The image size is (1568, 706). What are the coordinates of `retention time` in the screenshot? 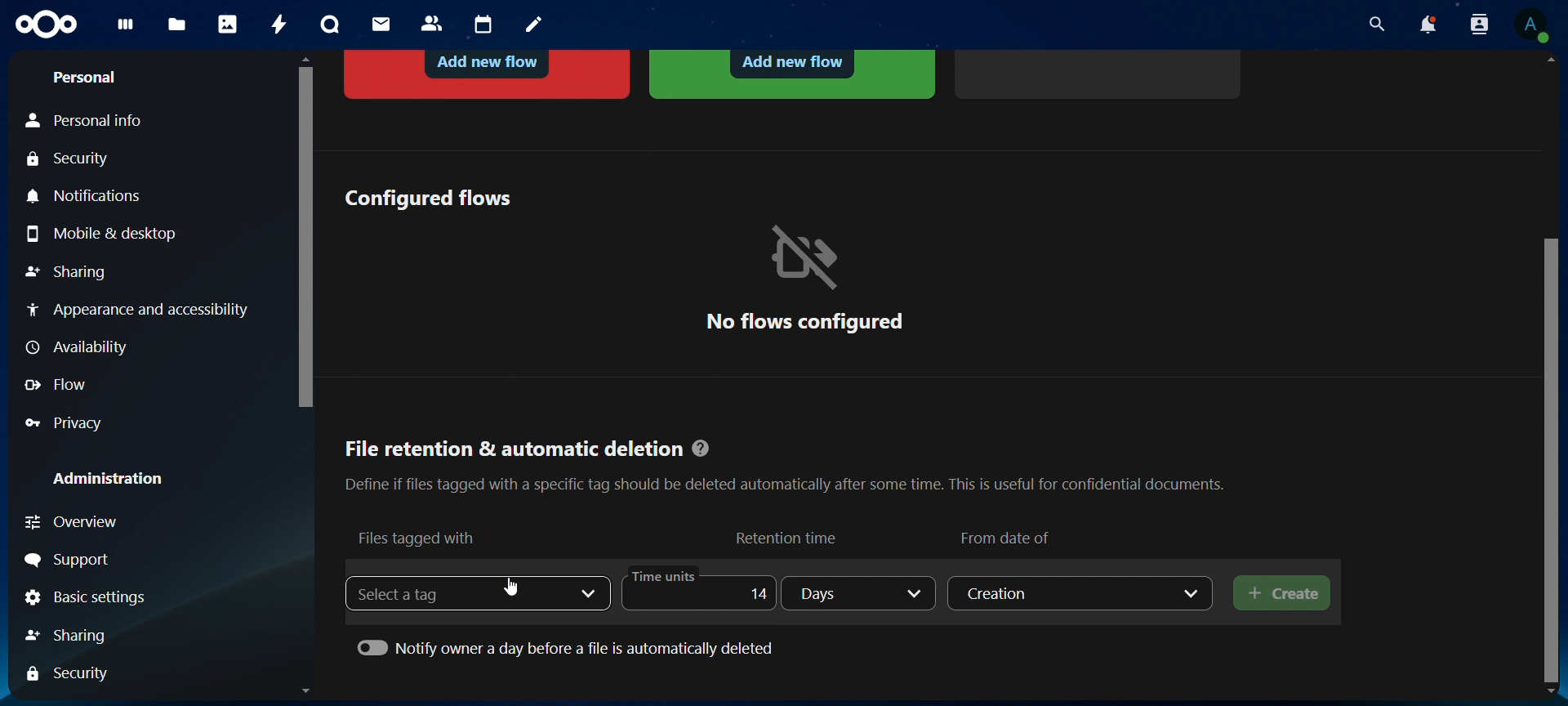 It's located at (789, 537).